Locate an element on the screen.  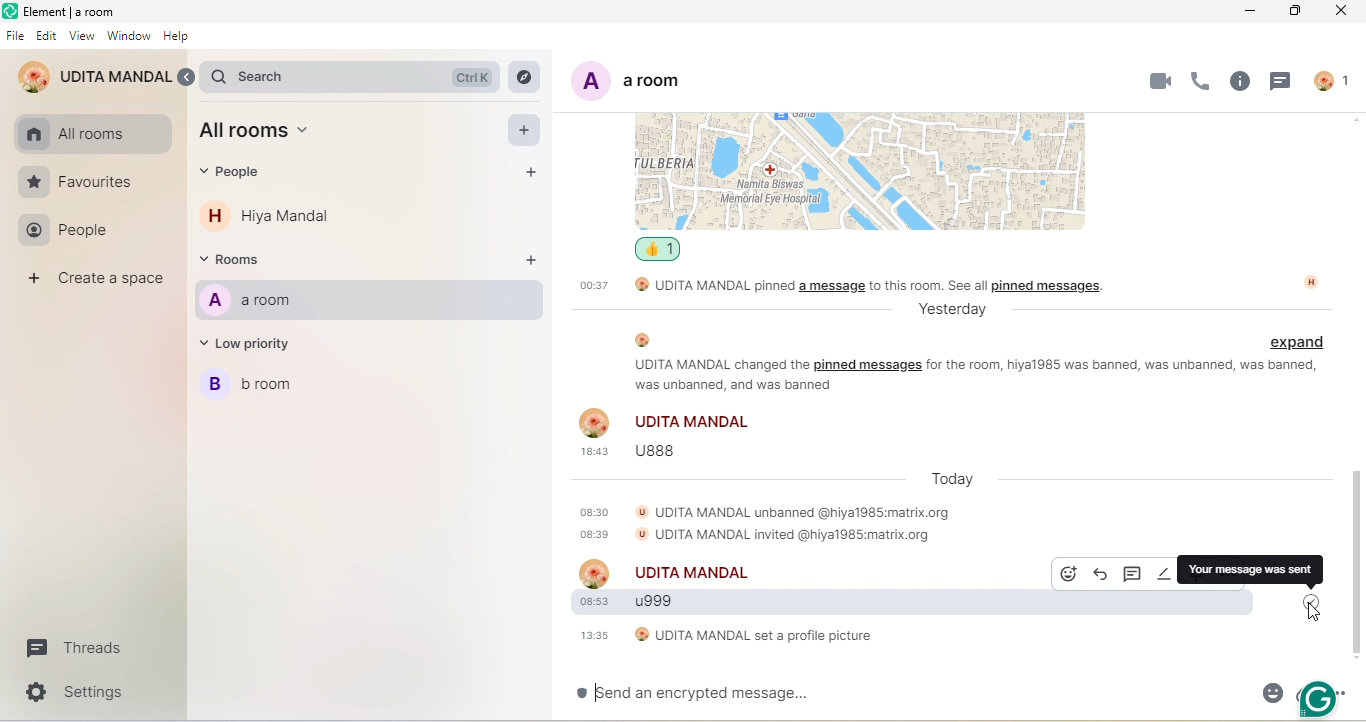
Video Call is located at coordinates (1160, 81).